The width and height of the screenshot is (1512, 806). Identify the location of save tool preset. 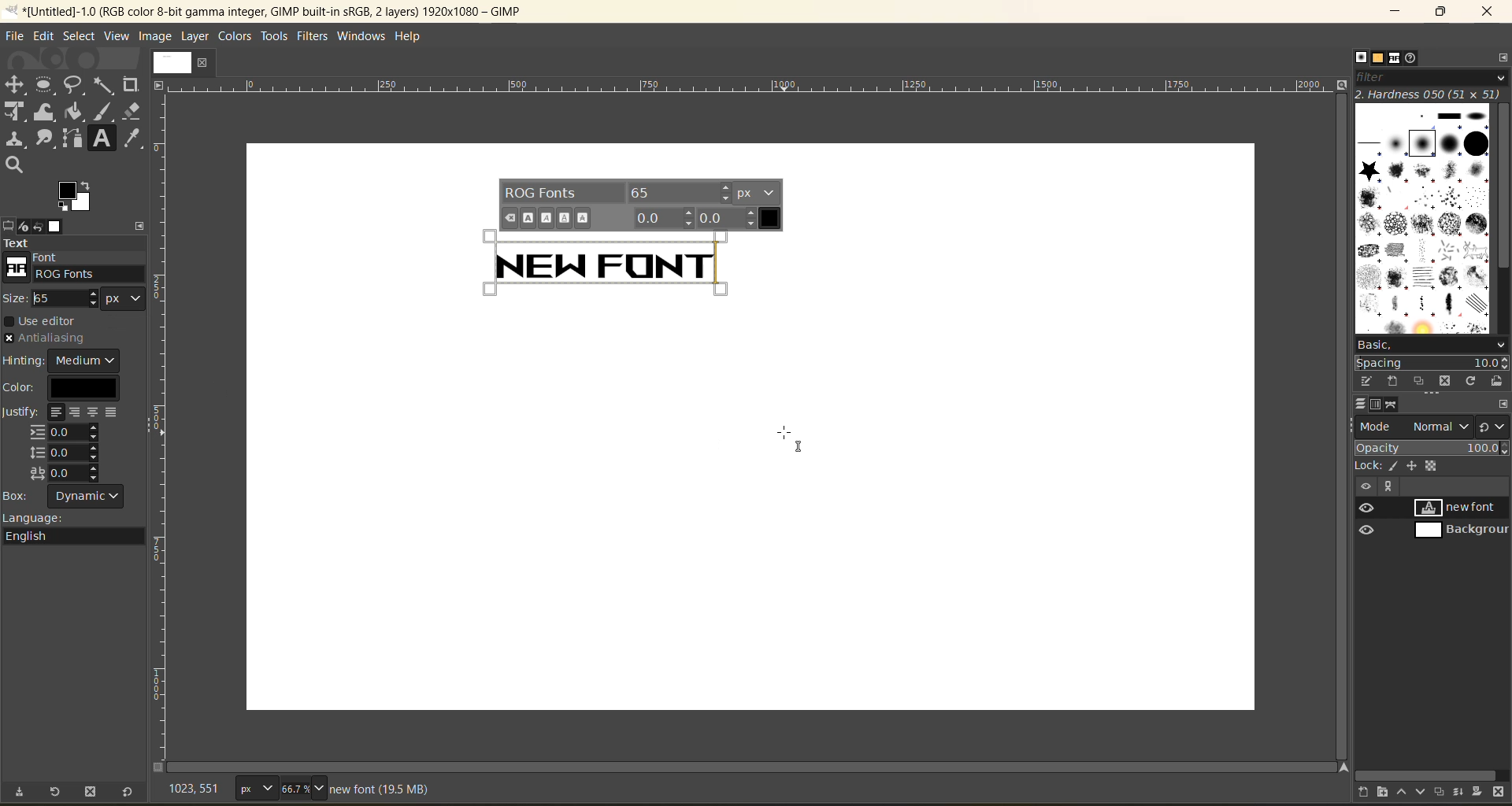
(22, 793).